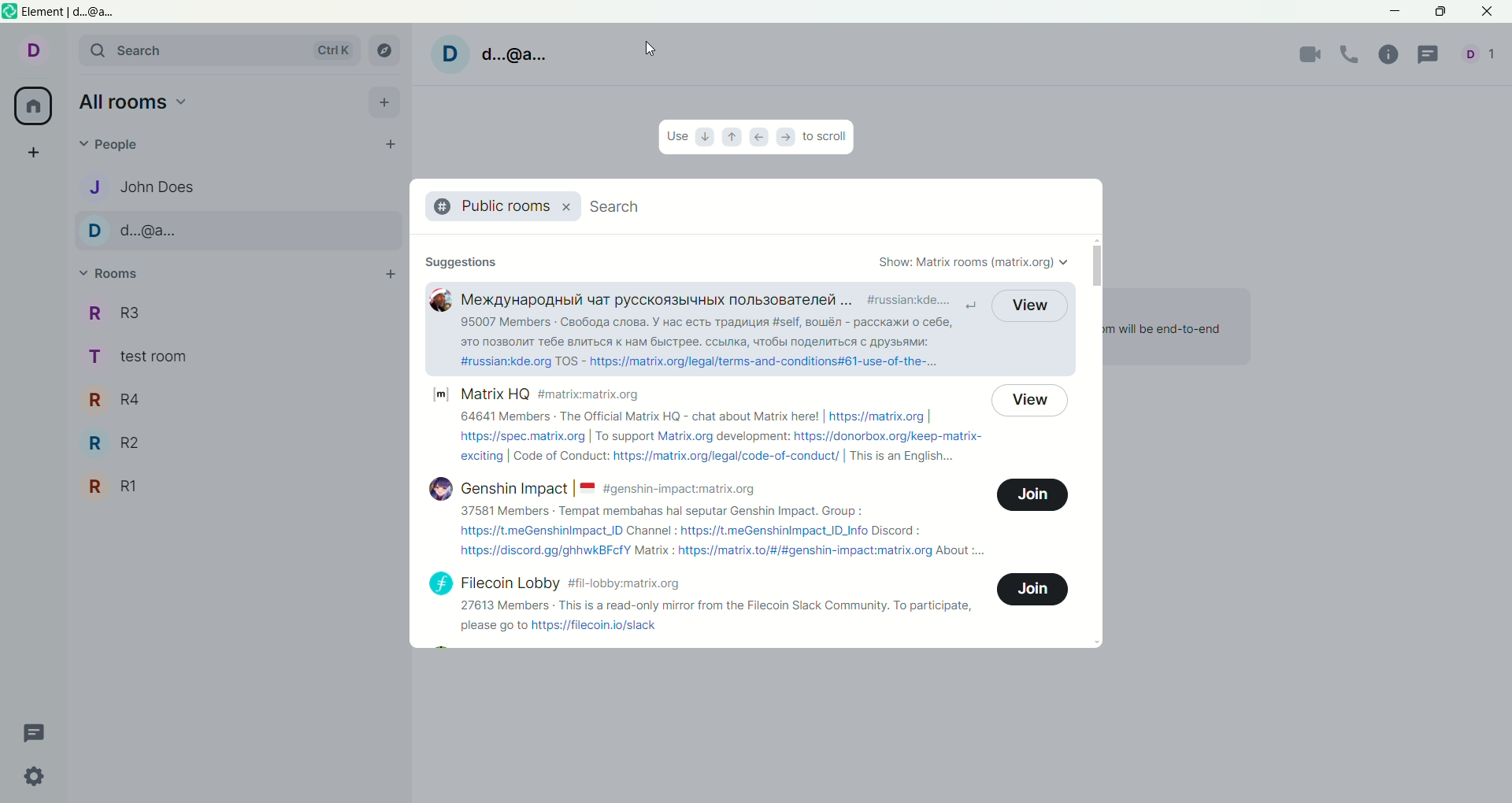 This screenshot has width=1512, height=803. I want to click on search, so click(219, 50).